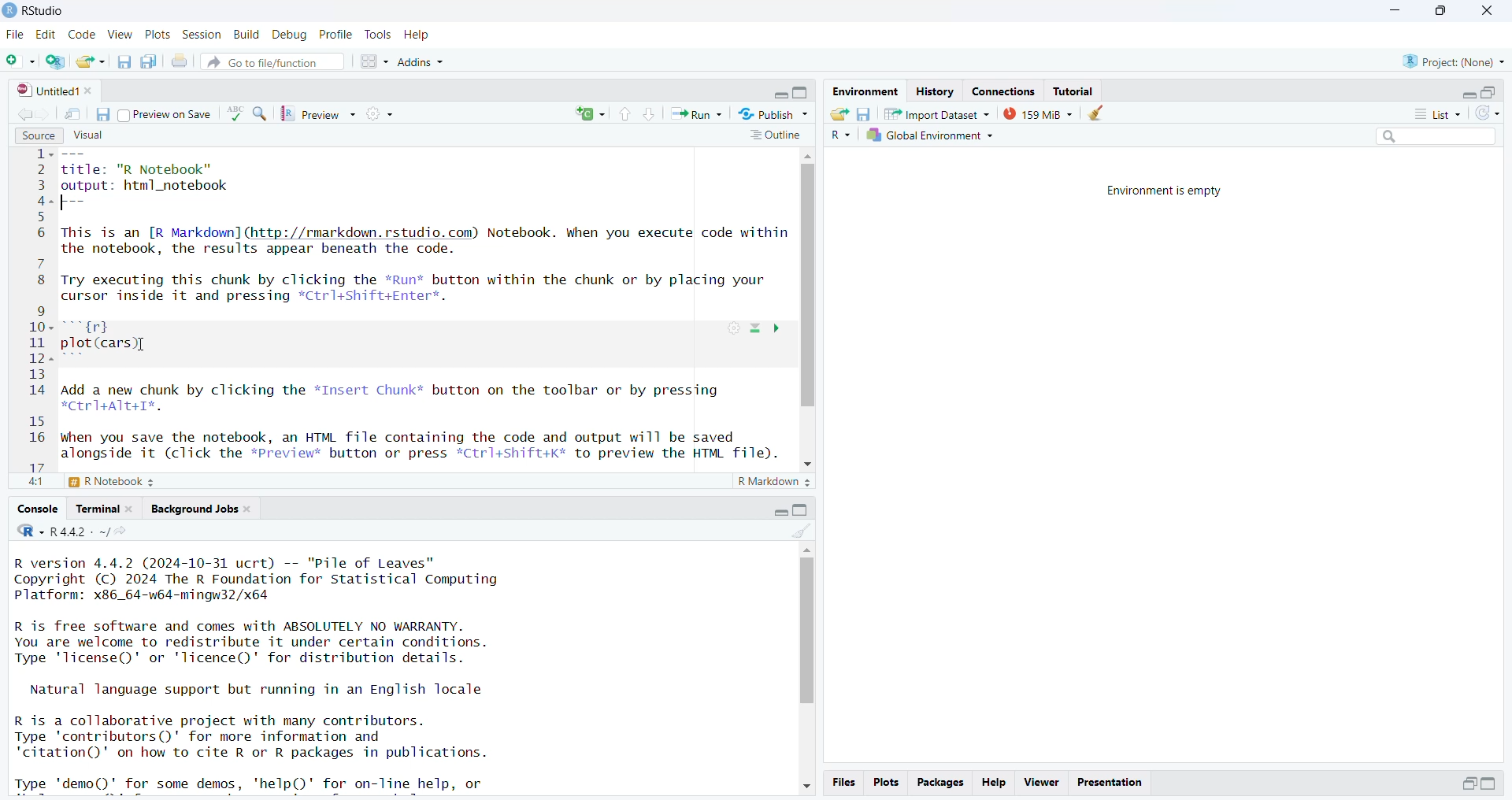 The width and height of the screenshot is (1512, 800). What do you see at coordinates (62, 530) in the screenshot?
I see `R.4.4.2` at bounding box center [62, 530].